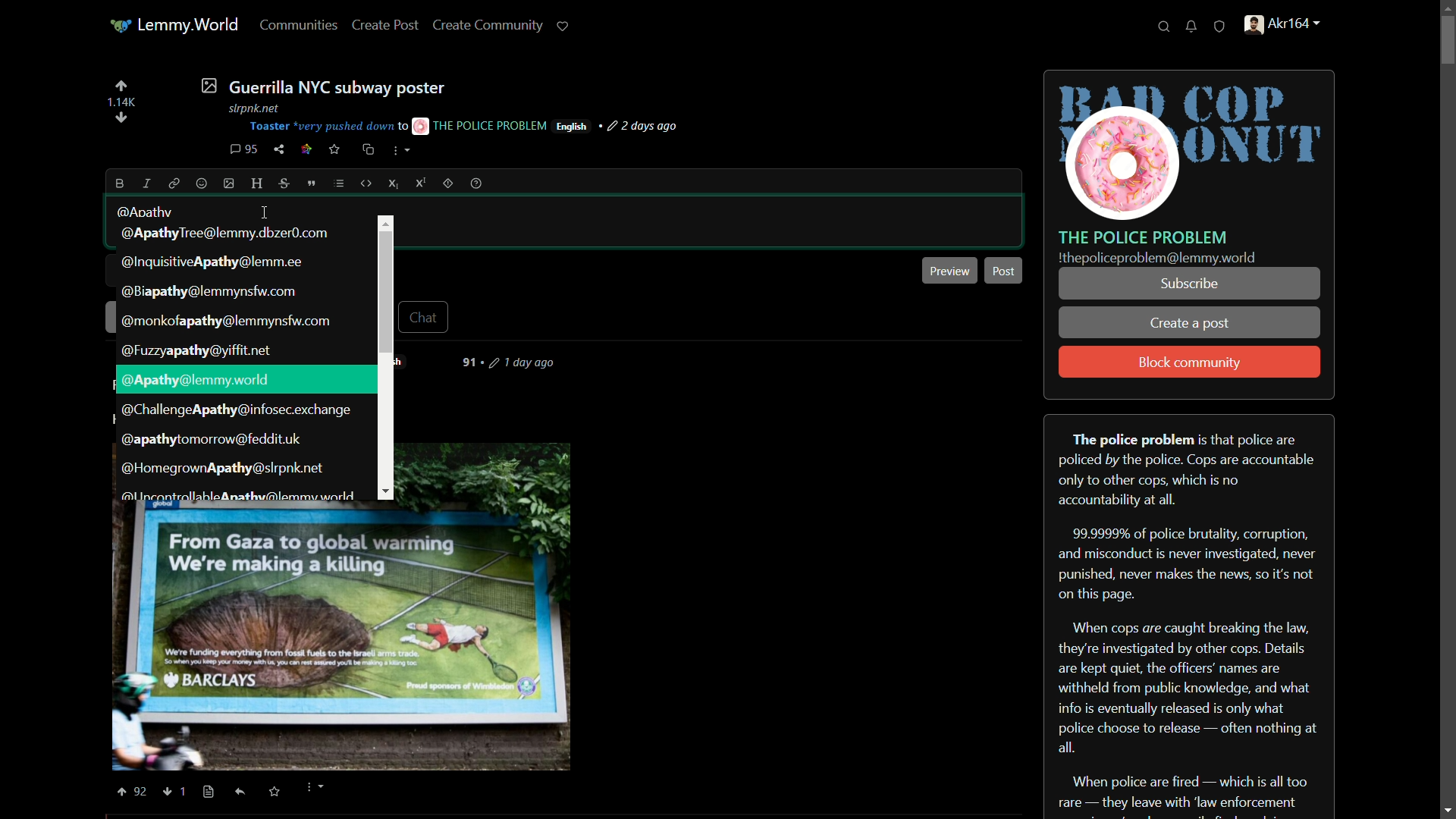  Describe the element at coordinates (367, 149) in the screenshot. I see `cross-post` at that location.